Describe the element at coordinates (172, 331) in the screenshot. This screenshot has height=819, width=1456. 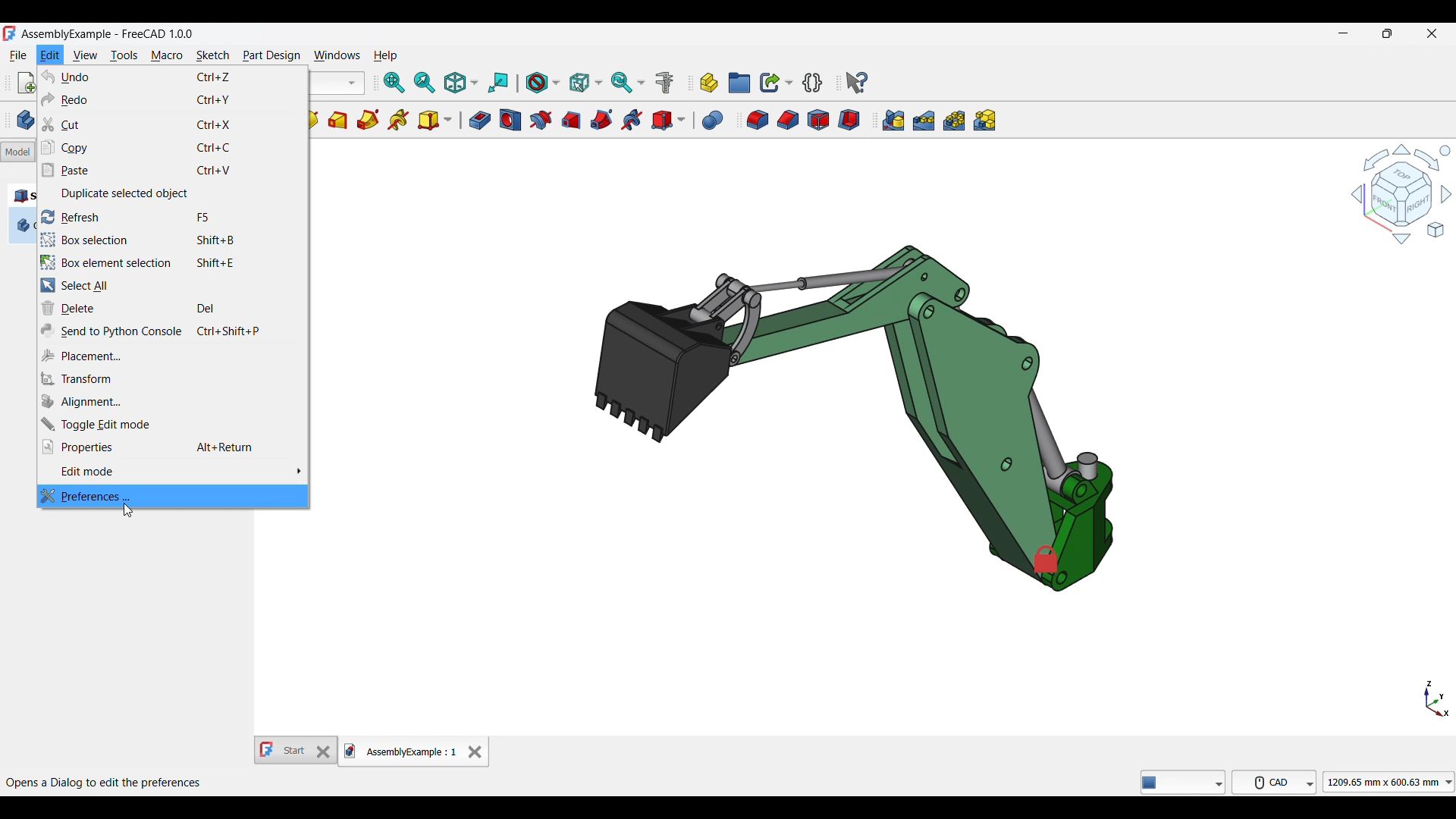
I see `Send to Python console` at that location.